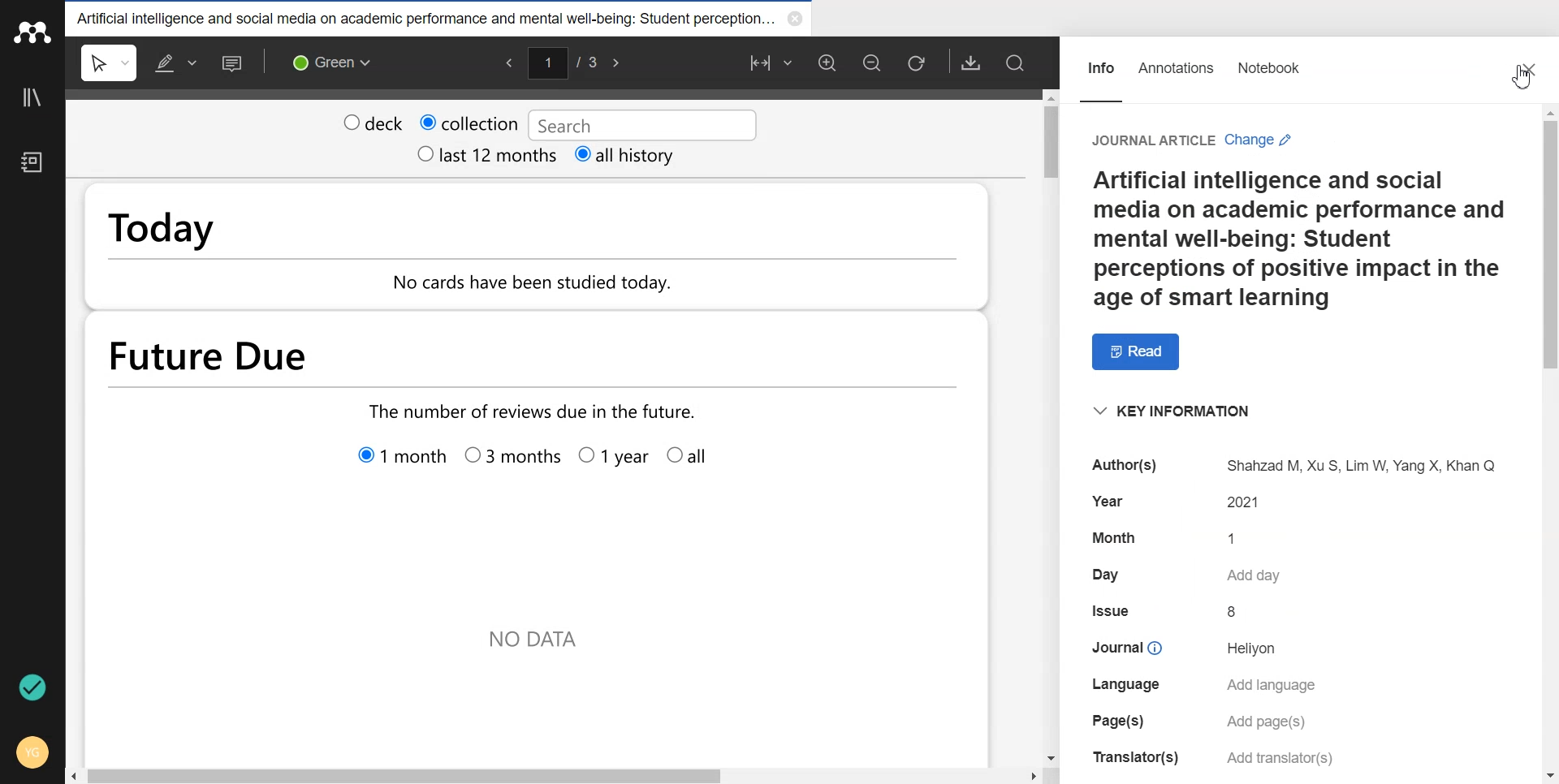  What do you see at coordinates (534, 411) in the screenshot?
I see `The number of reviews due in the future` at bounding box center [534, 411].